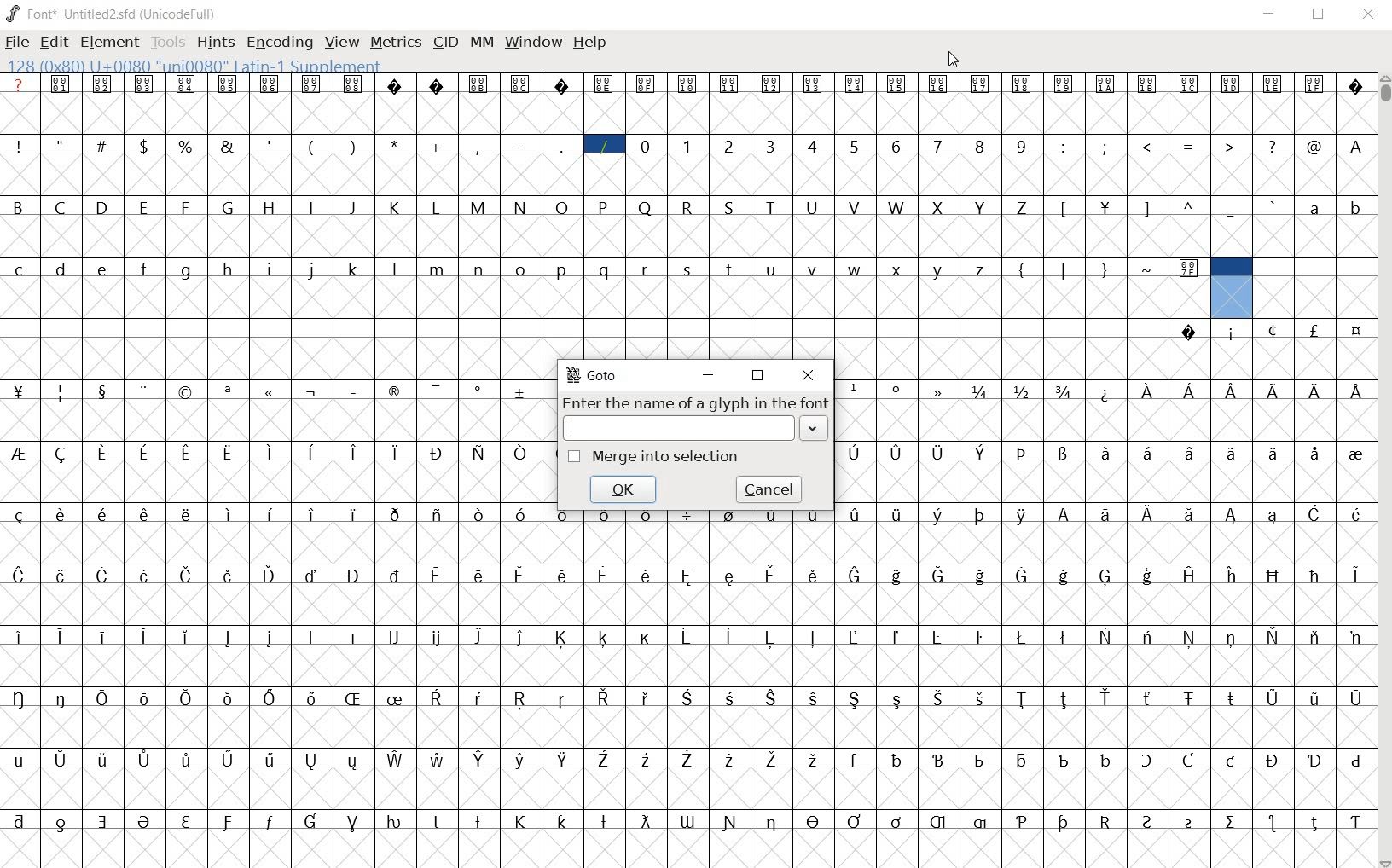  What do you see at coordinates (623, 488) in the screenshot?
I see `Ok` at bounding box center [623, 488].